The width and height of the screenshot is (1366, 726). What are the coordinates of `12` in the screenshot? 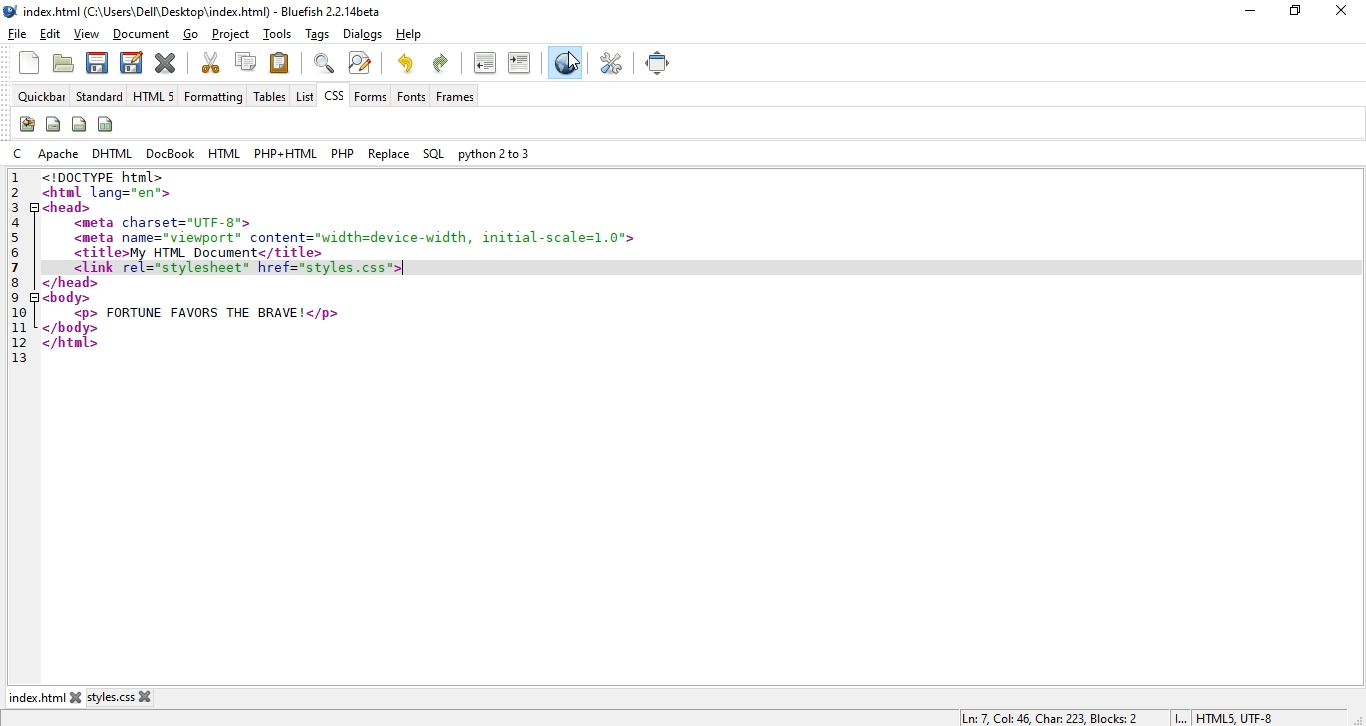 It's located at (15, 341).